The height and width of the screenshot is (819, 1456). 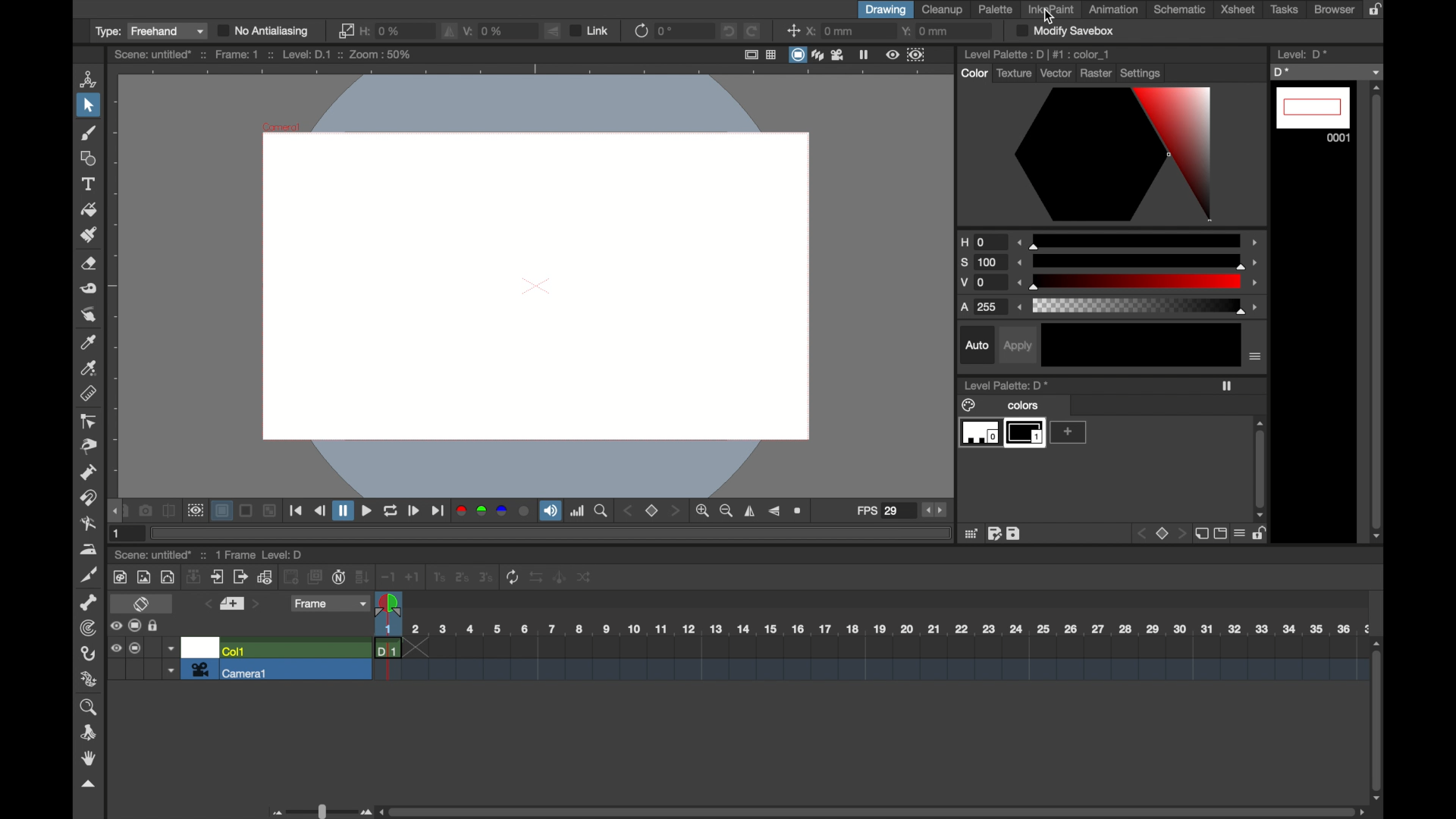 I want to click on scene: untitle* :: Frame: 1 :: Level: D.1 :: Zoom: 50%, so click(x=261, y=55).